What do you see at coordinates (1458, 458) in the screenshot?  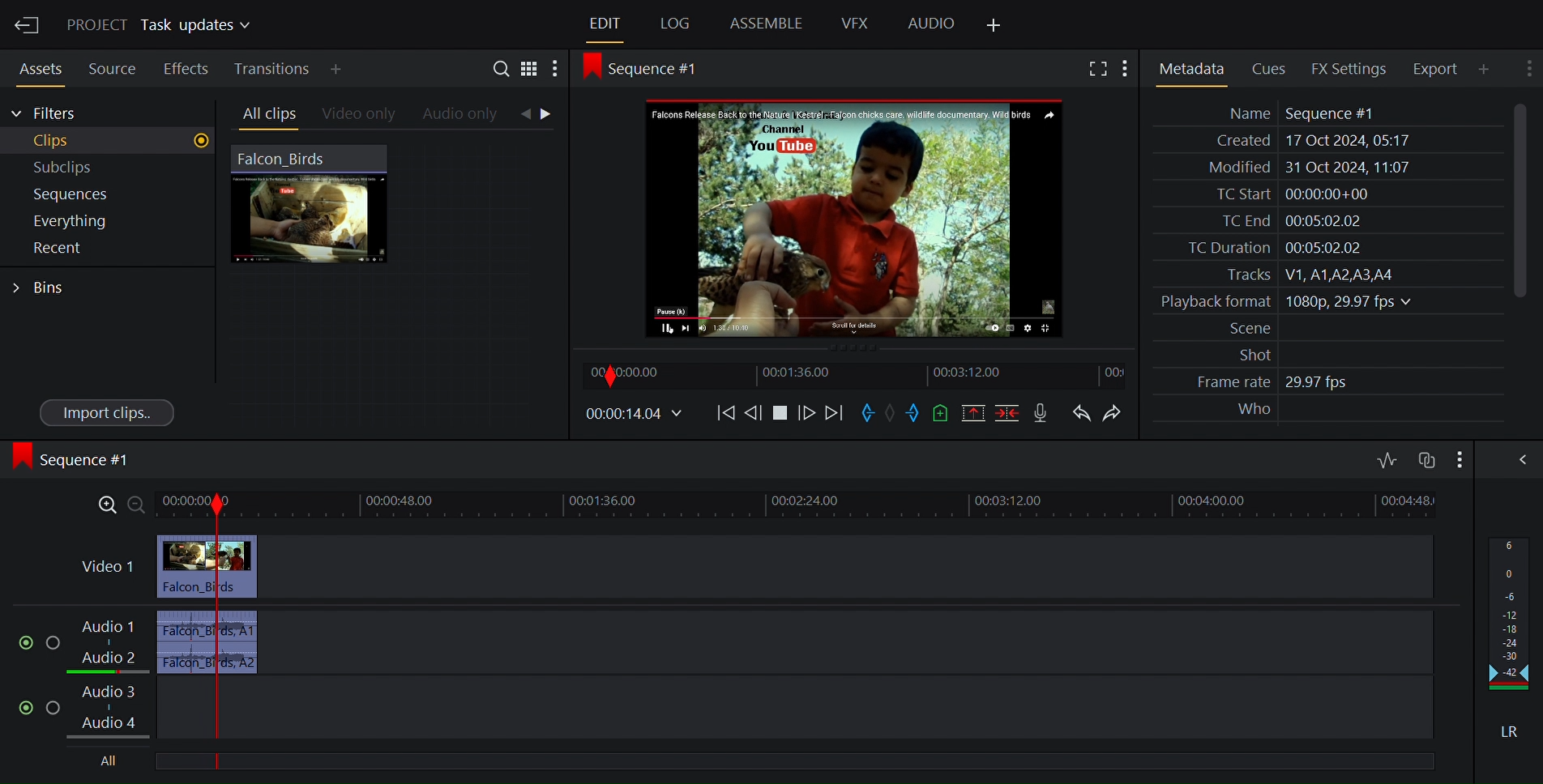 I see `Show settings menu` at bounding box center [1458, 458].